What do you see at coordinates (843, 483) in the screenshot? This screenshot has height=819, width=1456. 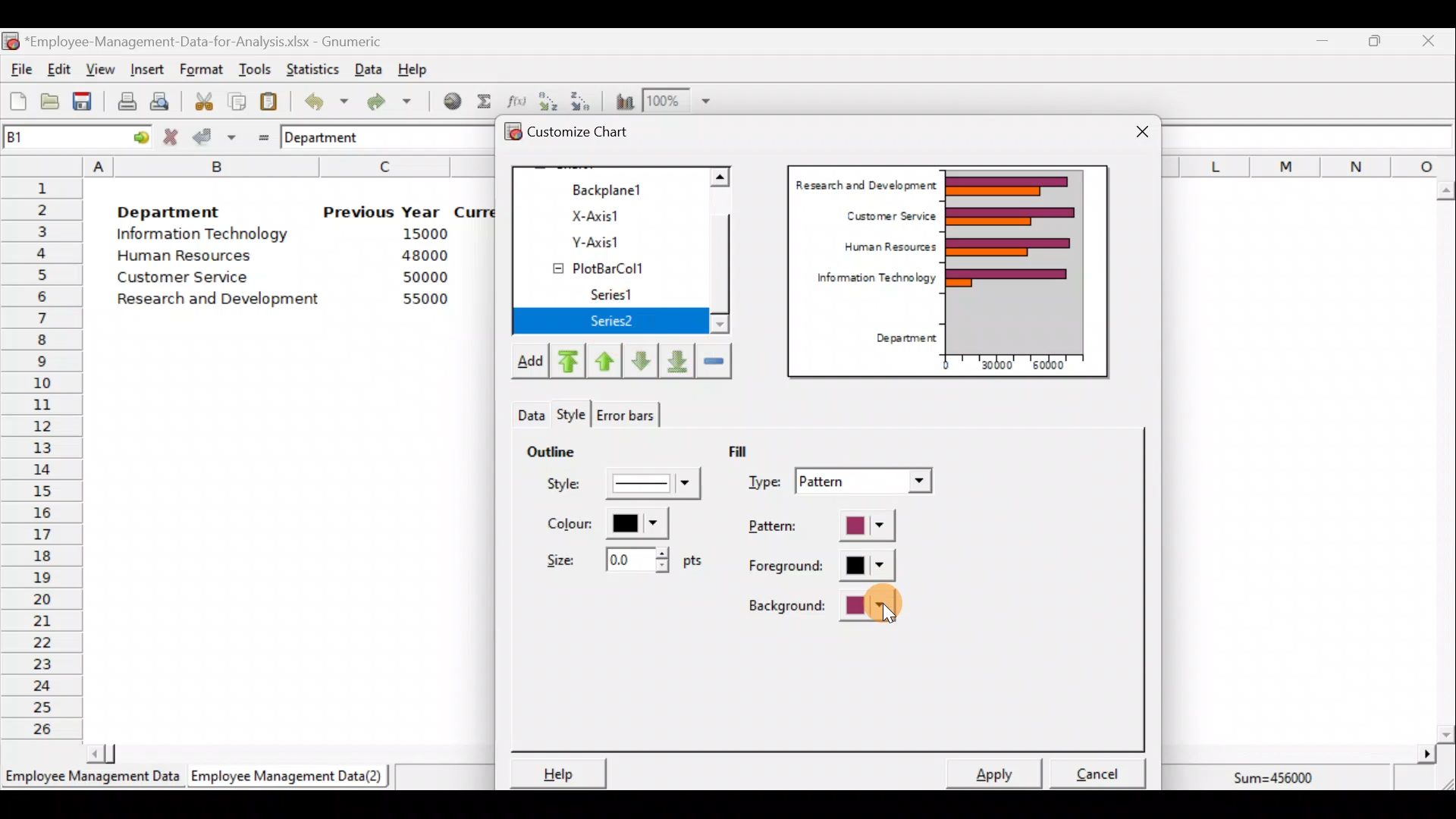 I see `Type` at bounding box center [843, 483].